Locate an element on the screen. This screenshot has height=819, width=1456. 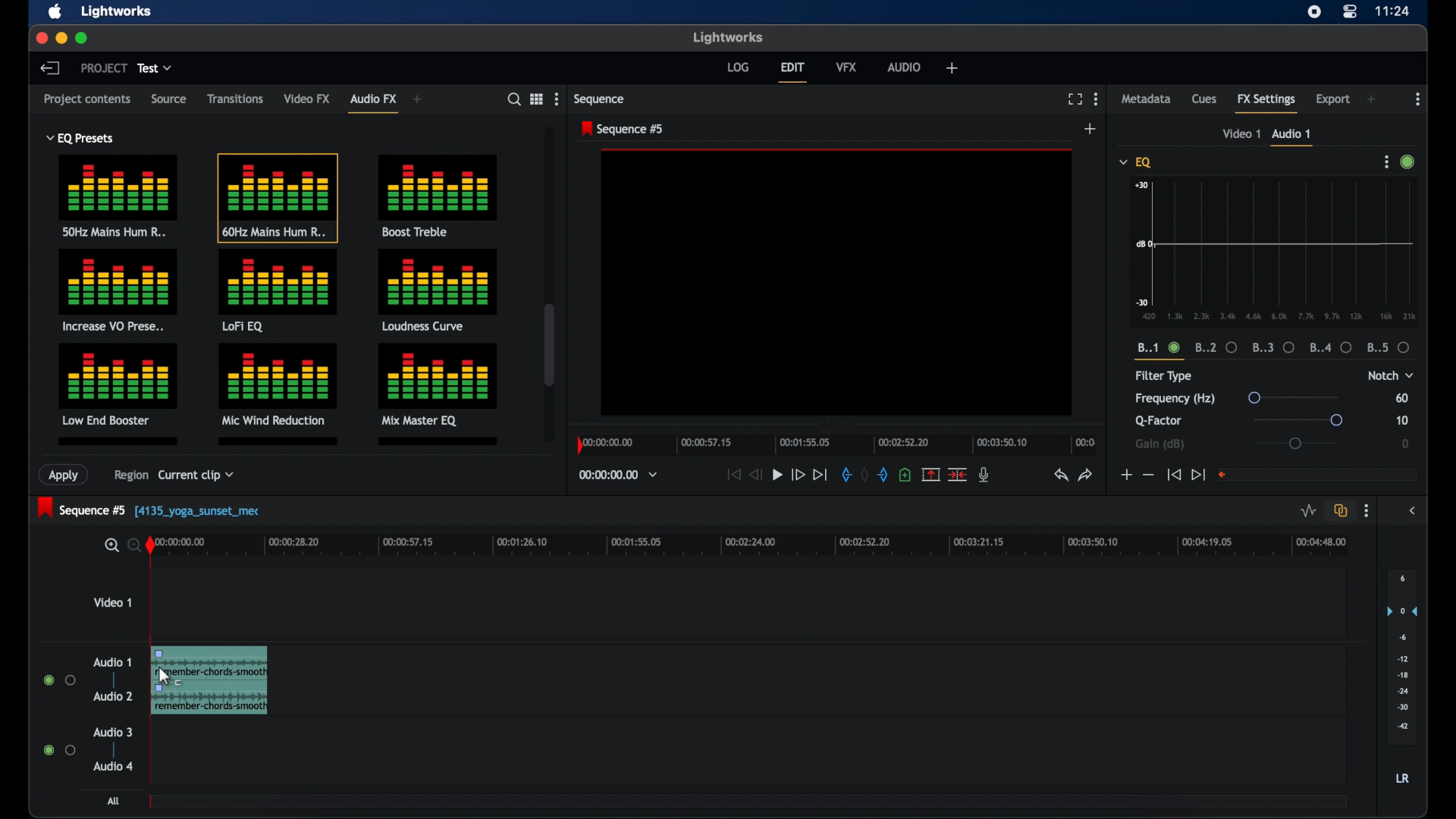
video 1 is located at coordinates (112, 602).